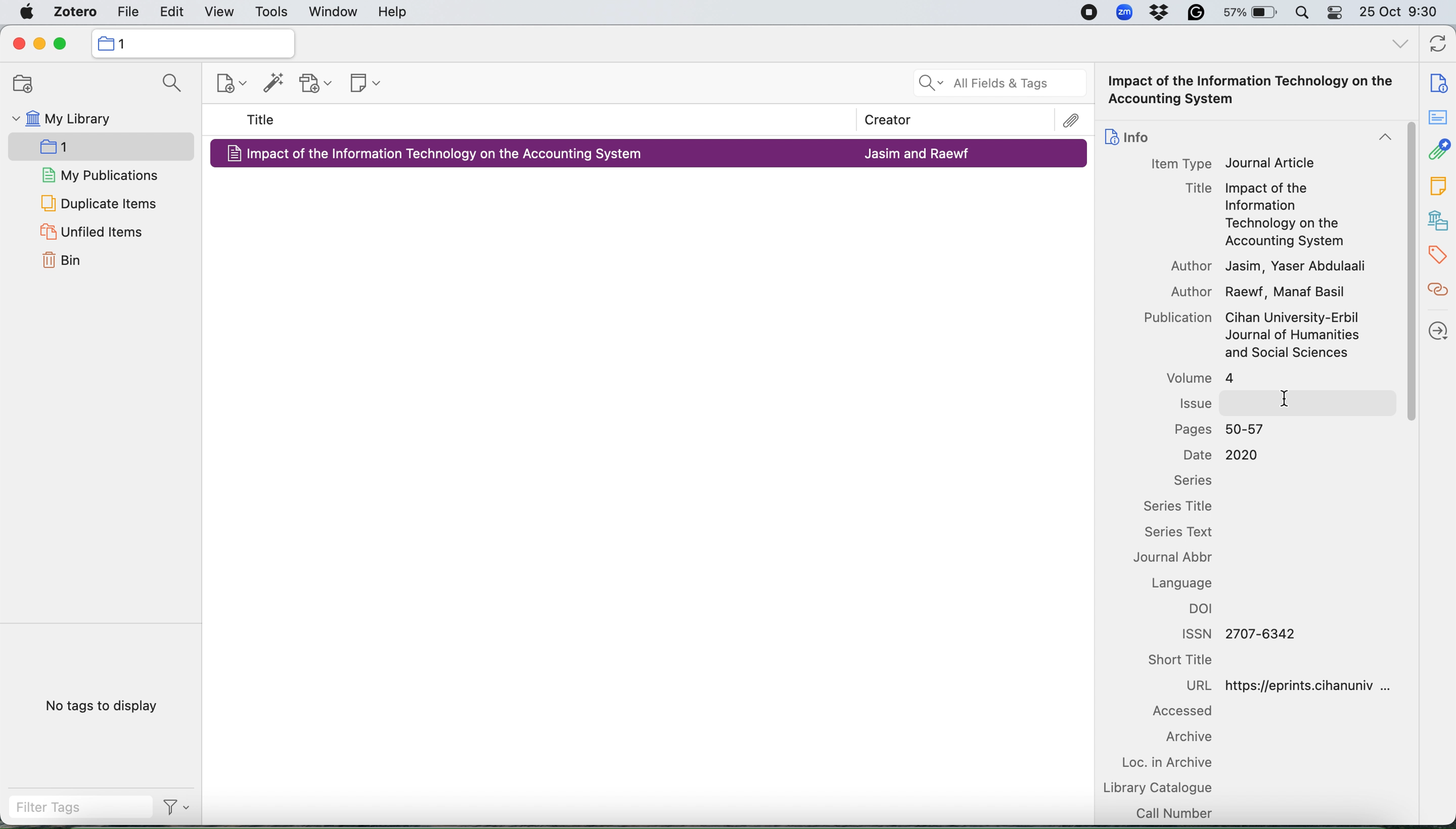 The image size is (1456, 829). I want to click on 25 Oct 9:30, so click(1402, 13).